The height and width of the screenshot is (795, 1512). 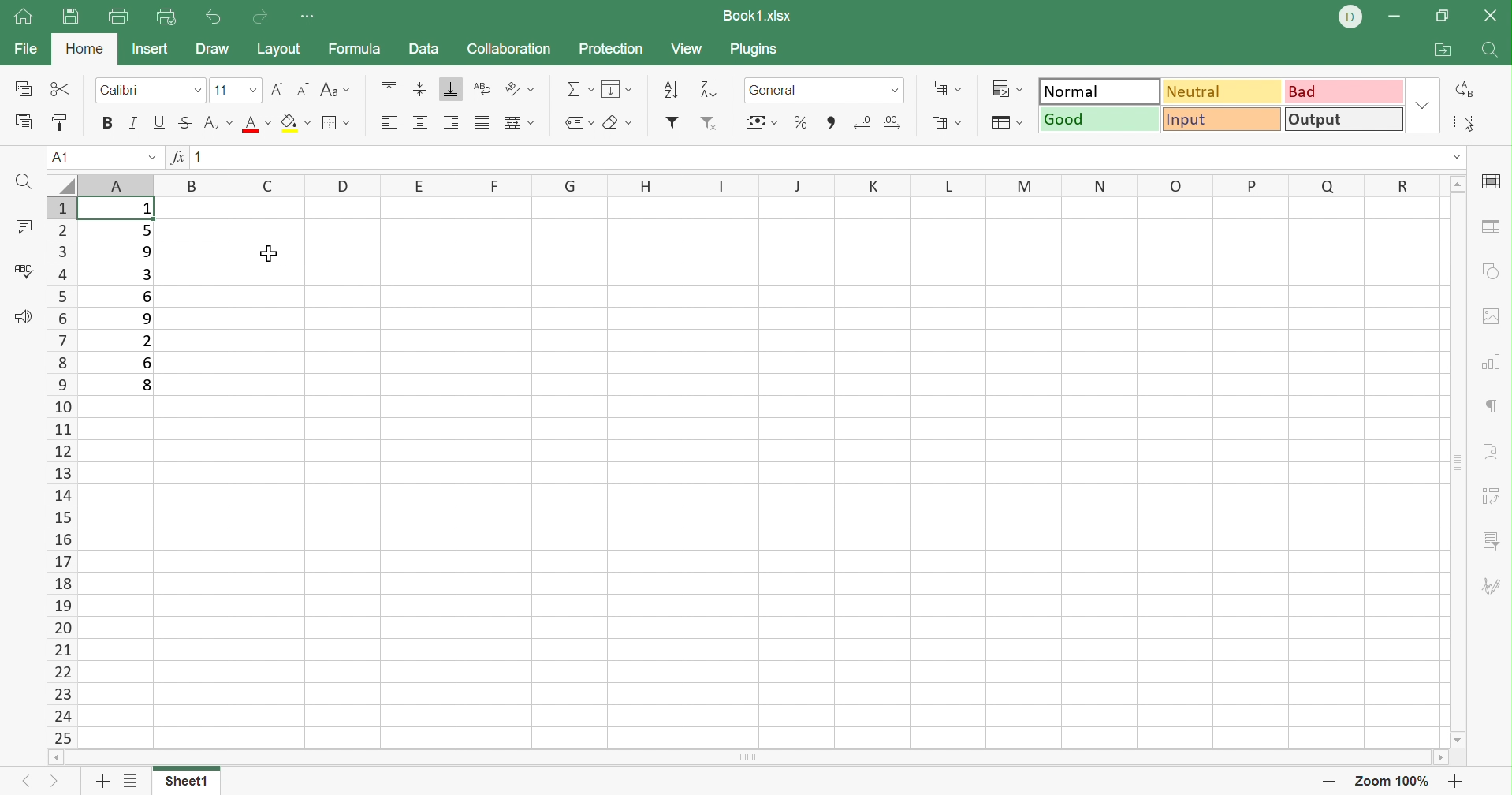 What do you see at coordinates (709, 90) in the screenshot?
I see `Descending order` at bounding box center [709, 90].